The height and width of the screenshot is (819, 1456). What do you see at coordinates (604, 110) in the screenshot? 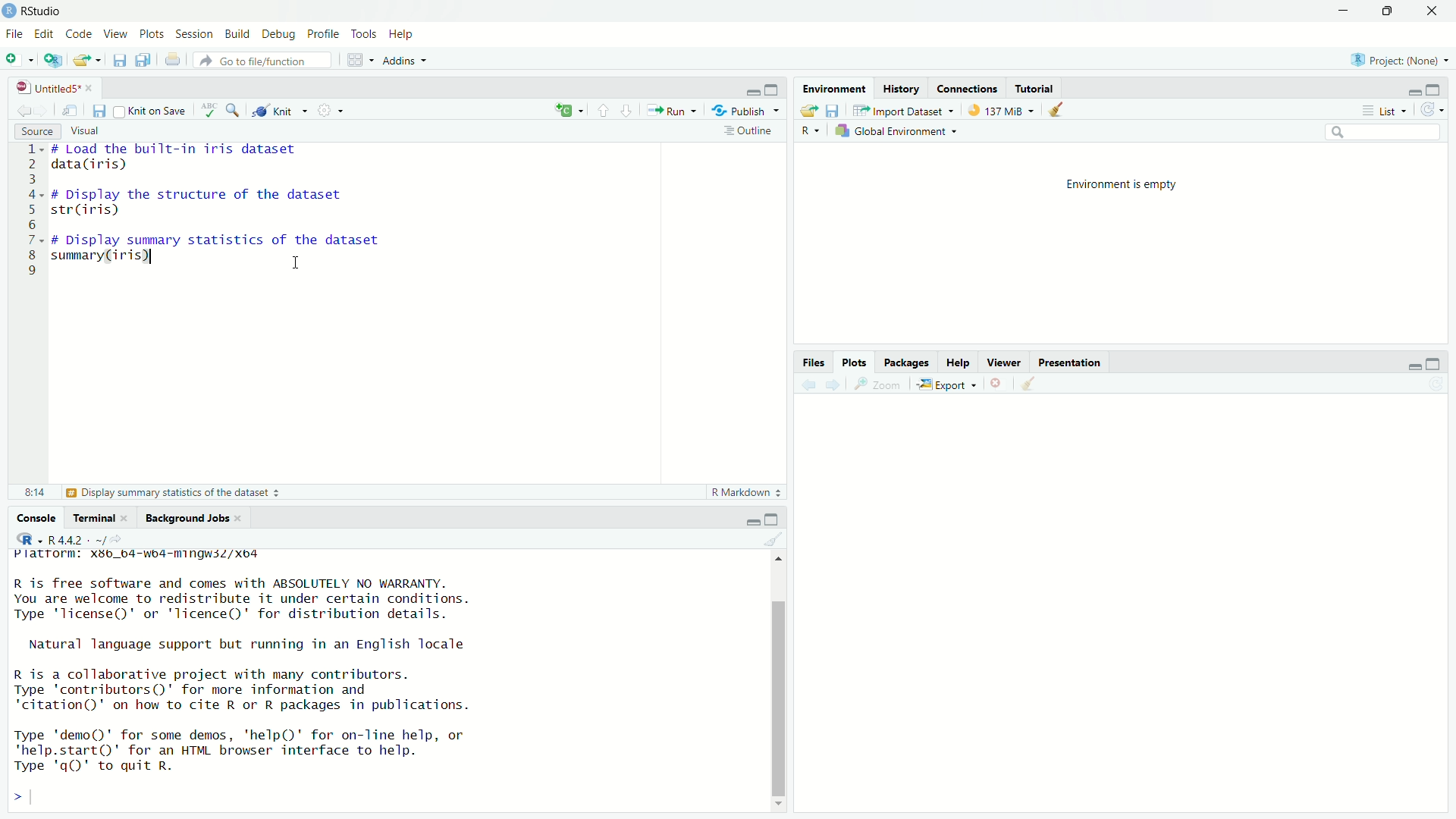
I see `Go to previous section` at bounding box center [604, 110].